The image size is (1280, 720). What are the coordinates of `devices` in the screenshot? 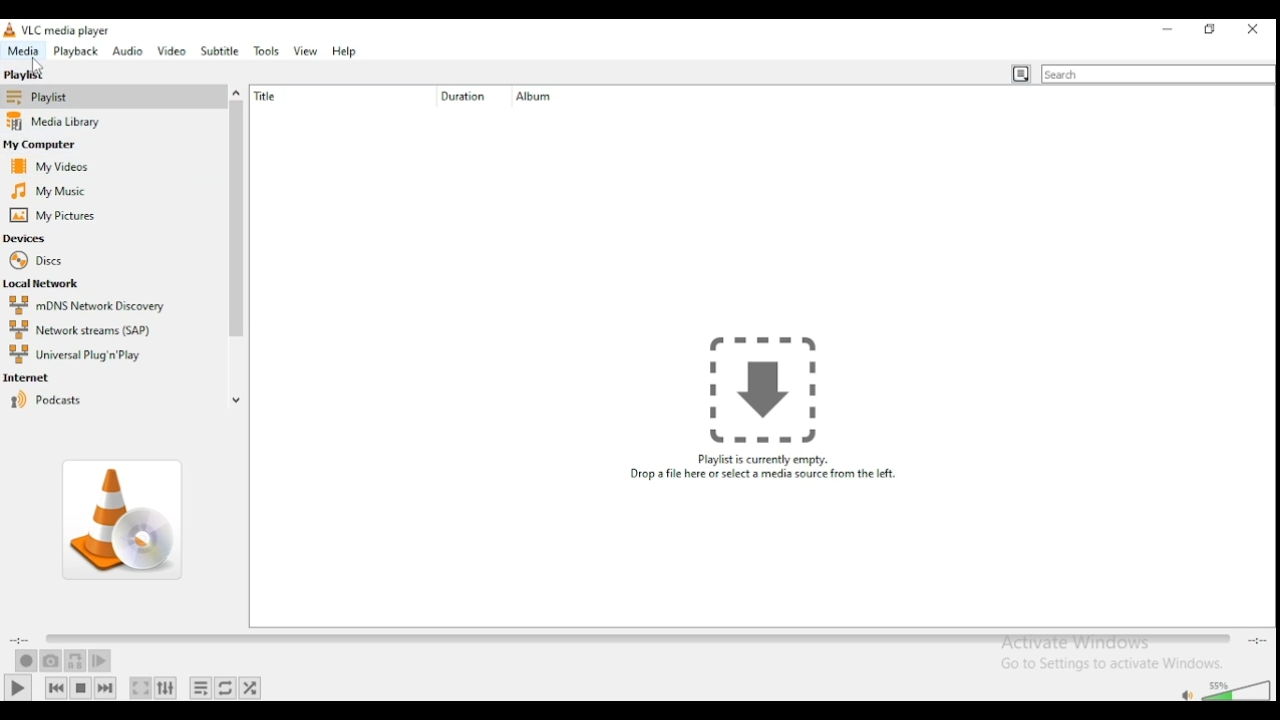 It's located at (28, 239).